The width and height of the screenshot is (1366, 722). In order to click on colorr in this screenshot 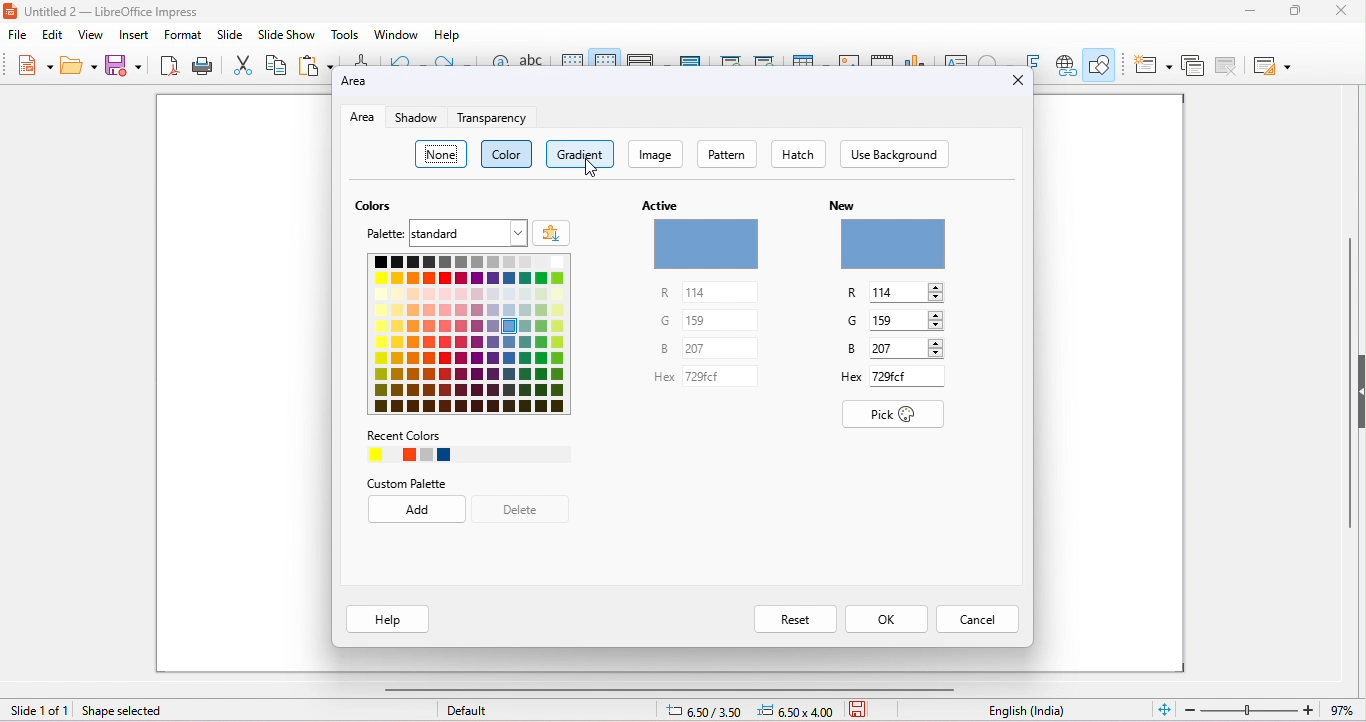, I will do `click(508, 154)`.